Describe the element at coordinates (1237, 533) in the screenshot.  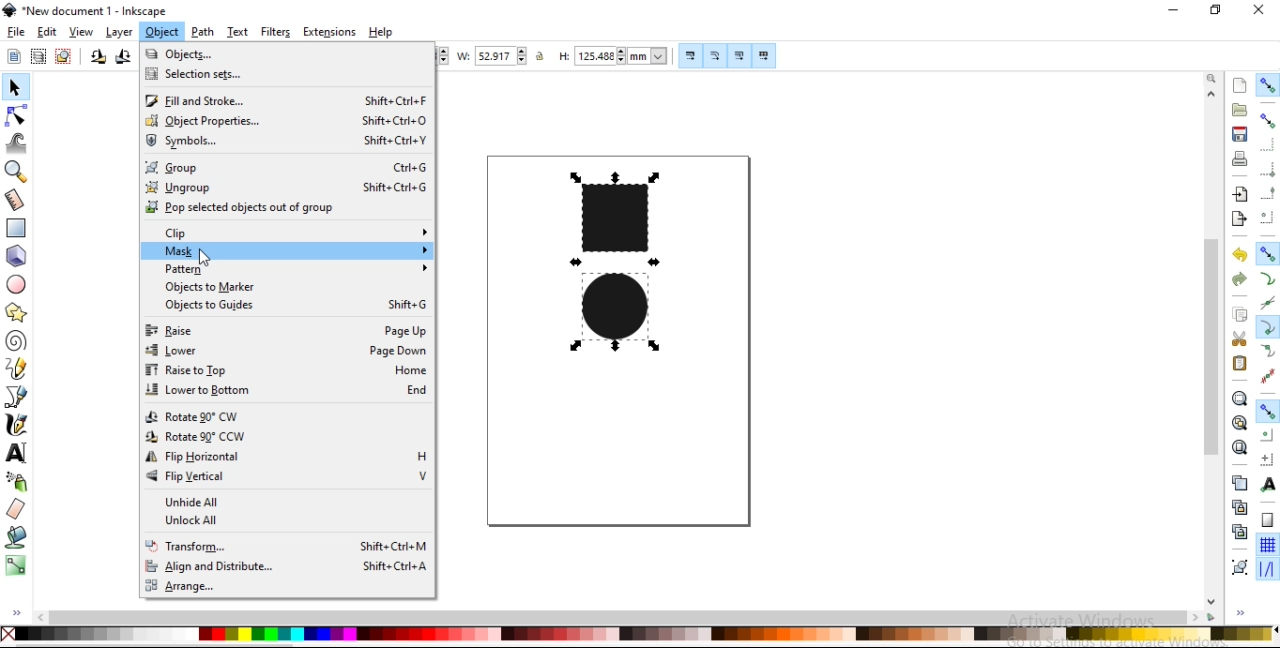
I see `cut selected clone` at that location.